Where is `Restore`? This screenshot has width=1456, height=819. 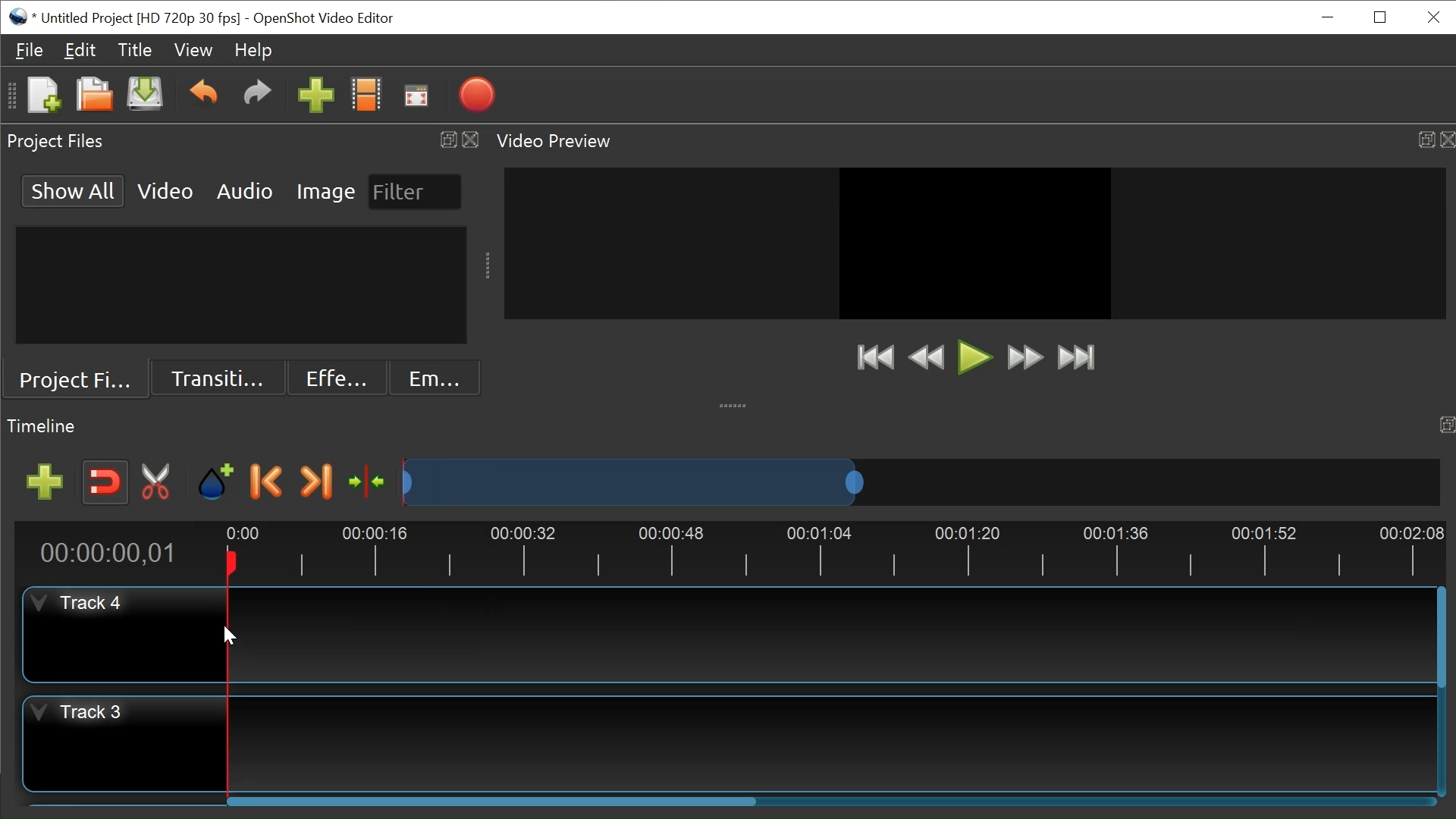 Restore is located at coordinates (1378, 18).